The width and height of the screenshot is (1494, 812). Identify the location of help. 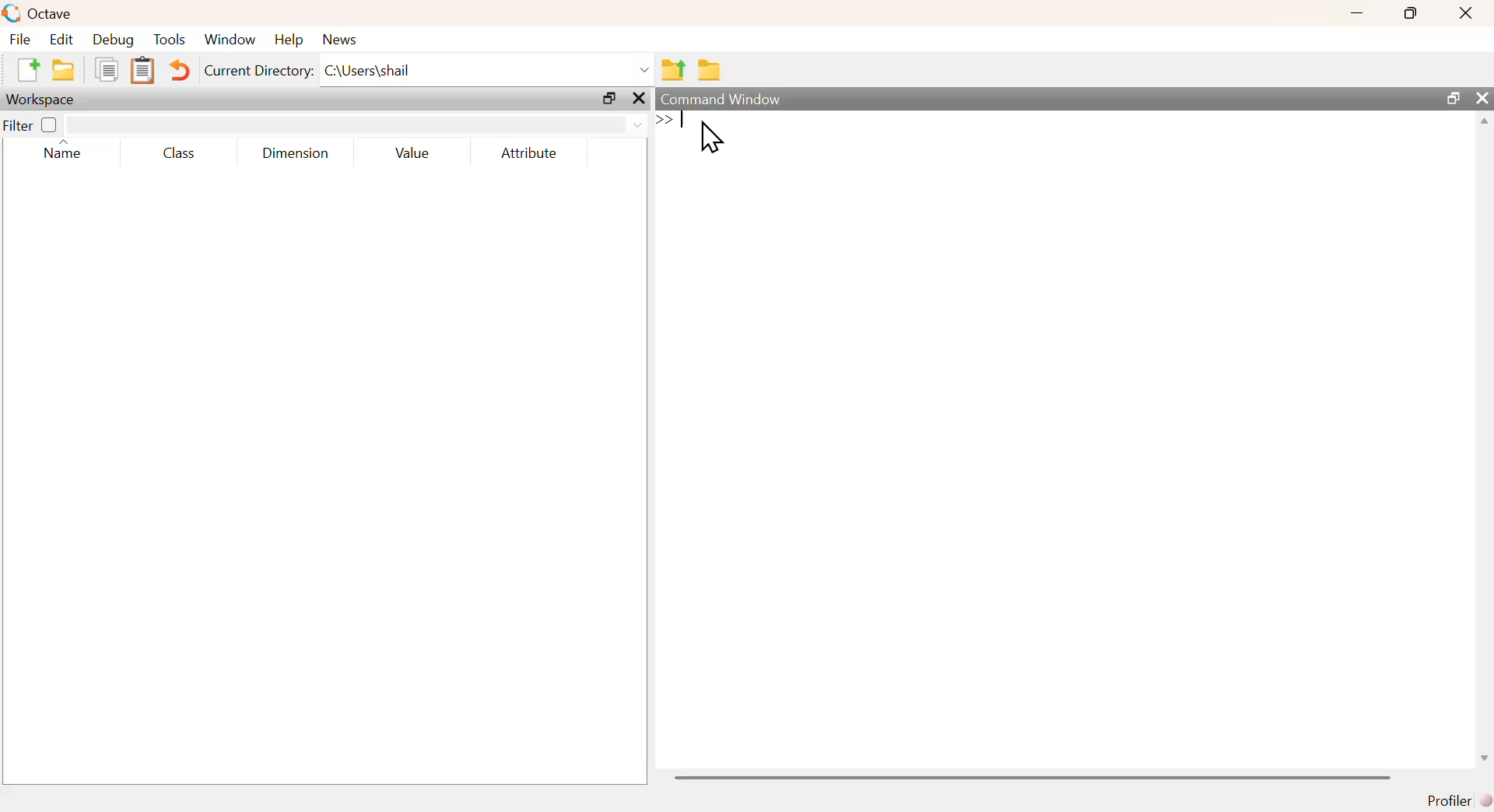
(291, 41).